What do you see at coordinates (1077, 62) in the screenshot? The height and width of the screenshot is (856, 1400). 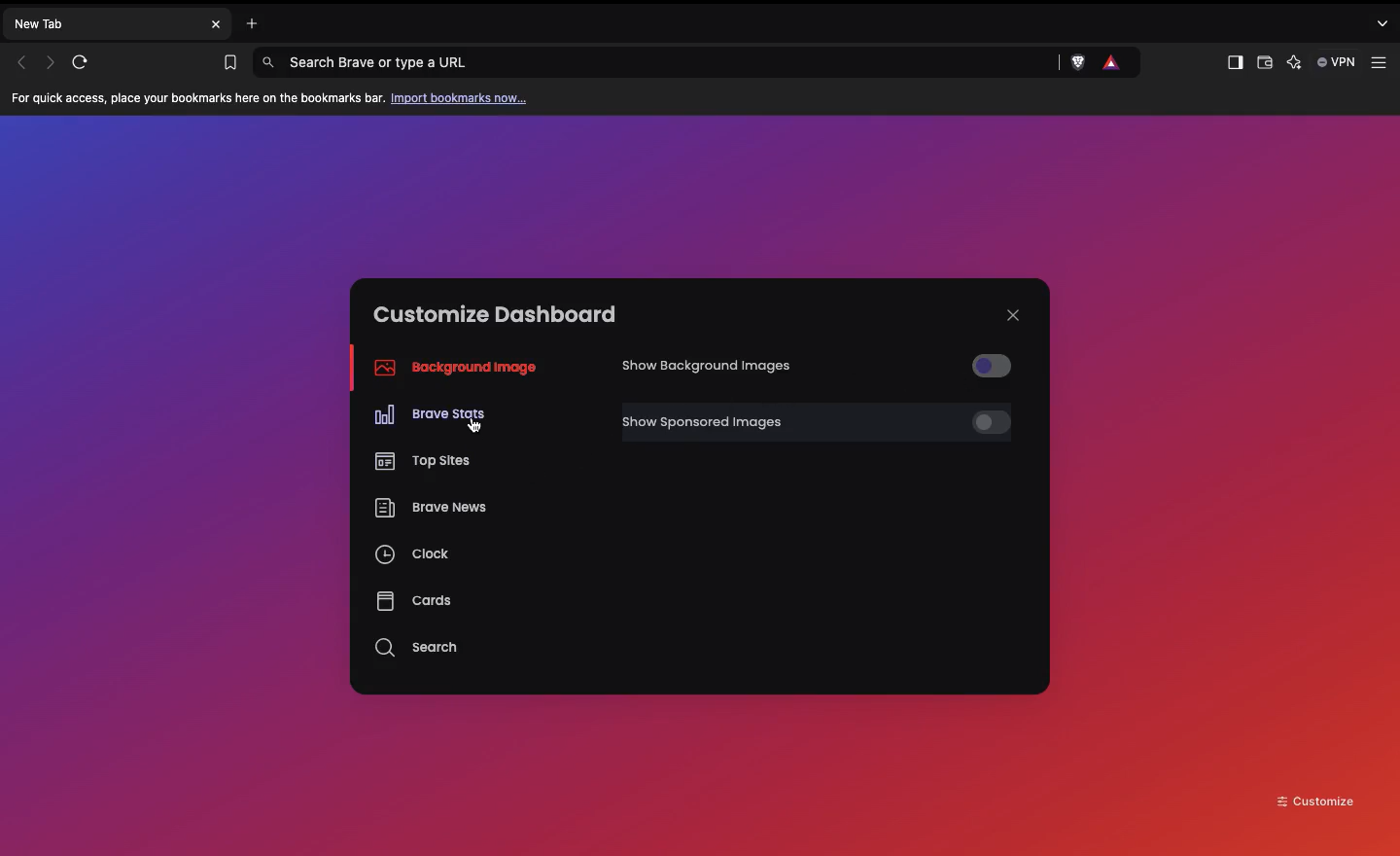 I see `Brave Shields` at bounding box center [1077, 62].